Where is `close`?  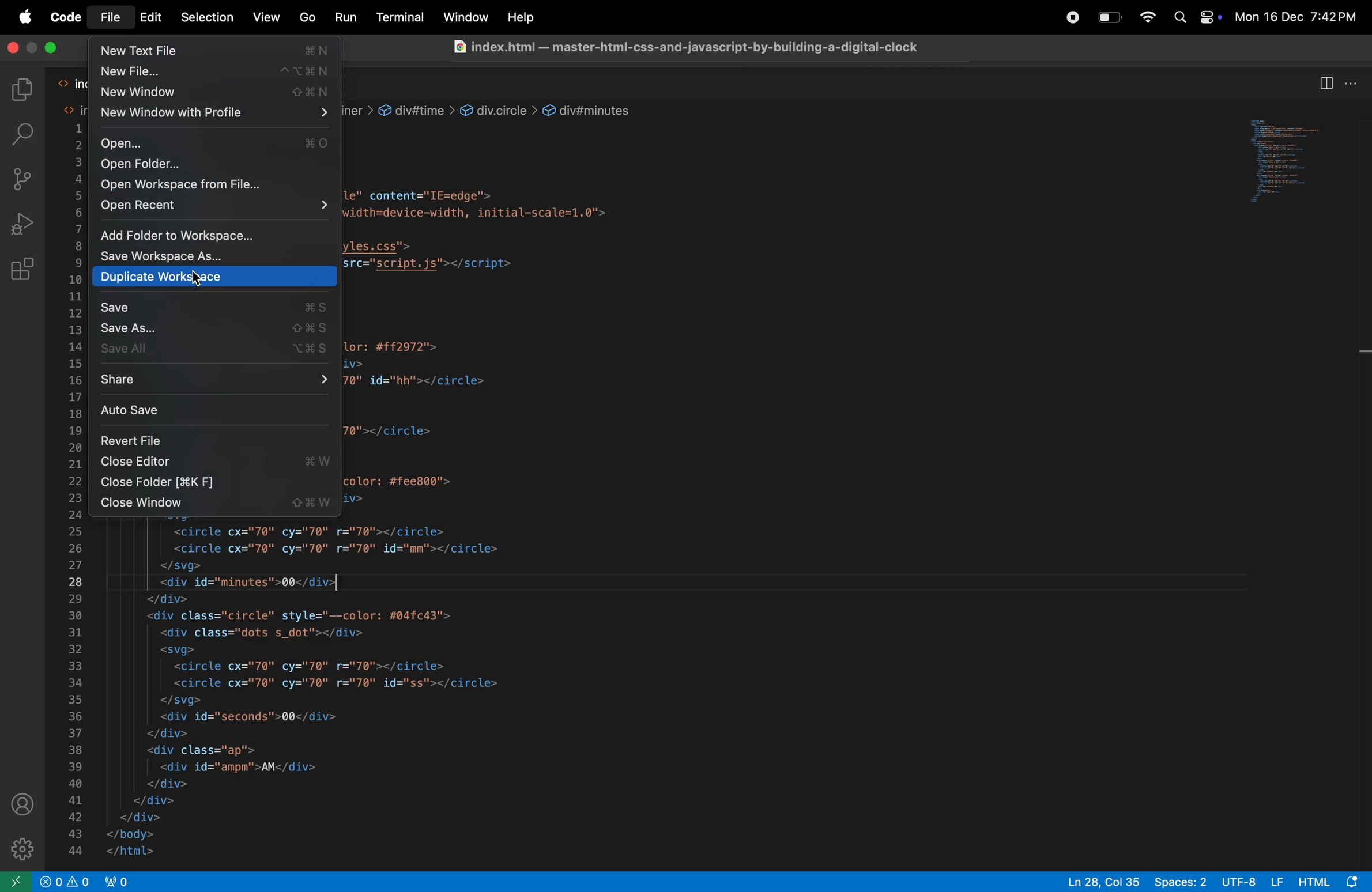
close is located at coordinates (14, 48).